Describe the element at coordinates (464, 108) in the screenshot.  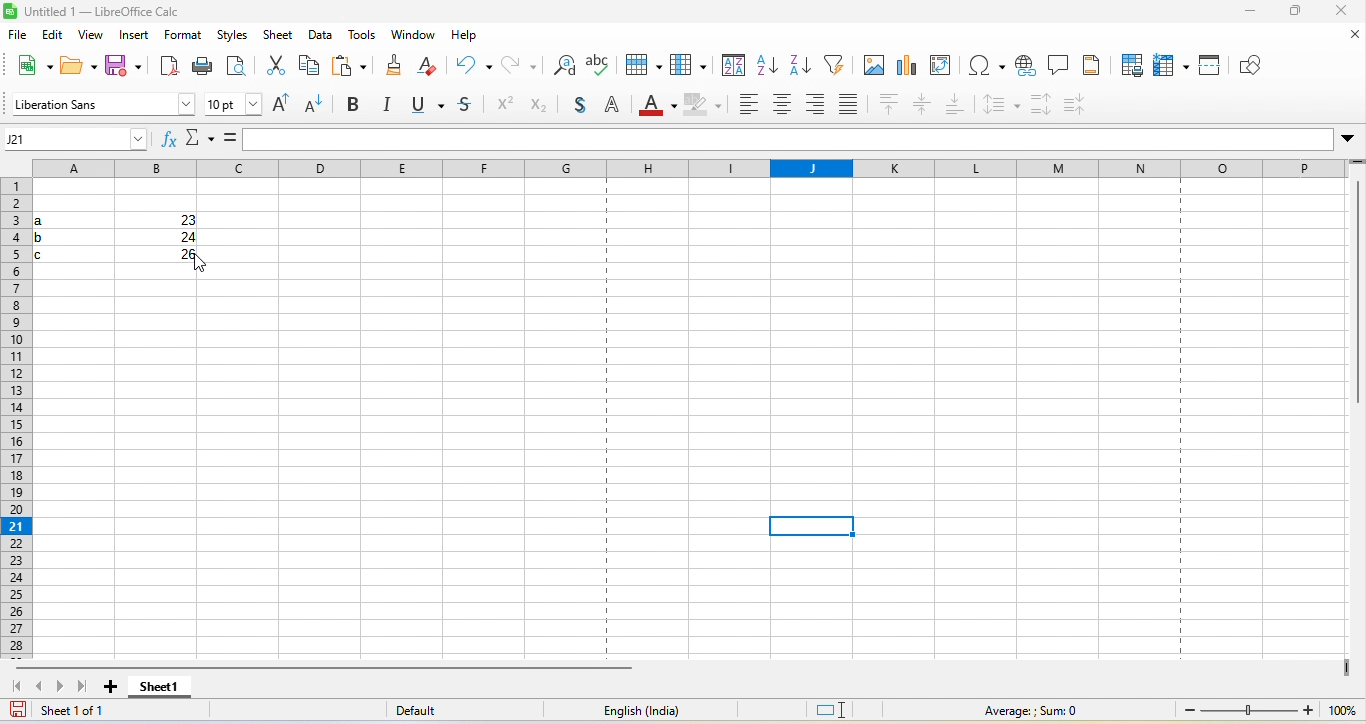
I see `strikethrough ` at that location.